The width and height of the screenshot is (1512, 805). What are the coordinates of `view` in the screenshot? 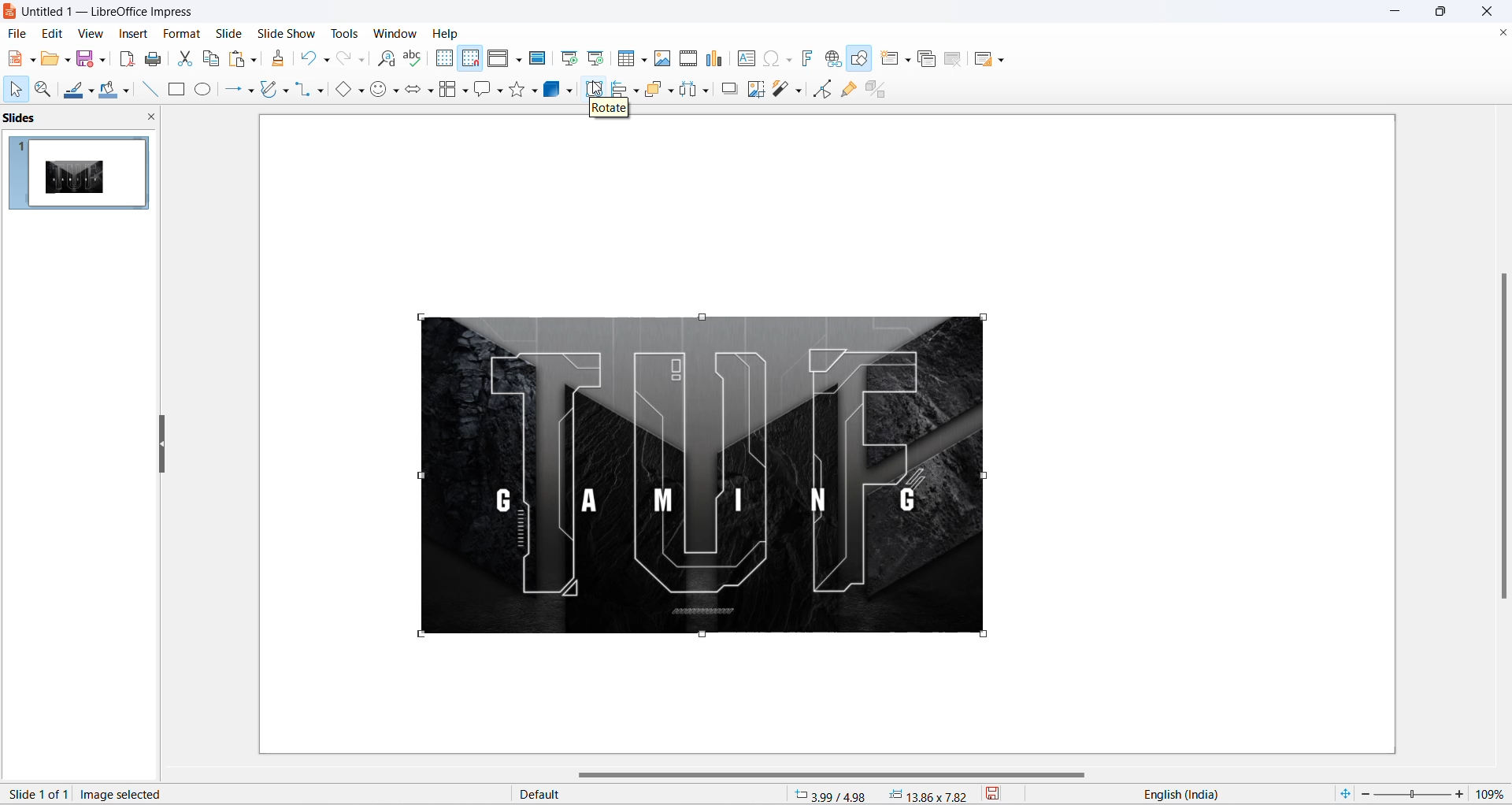 It's located at (89, 33).